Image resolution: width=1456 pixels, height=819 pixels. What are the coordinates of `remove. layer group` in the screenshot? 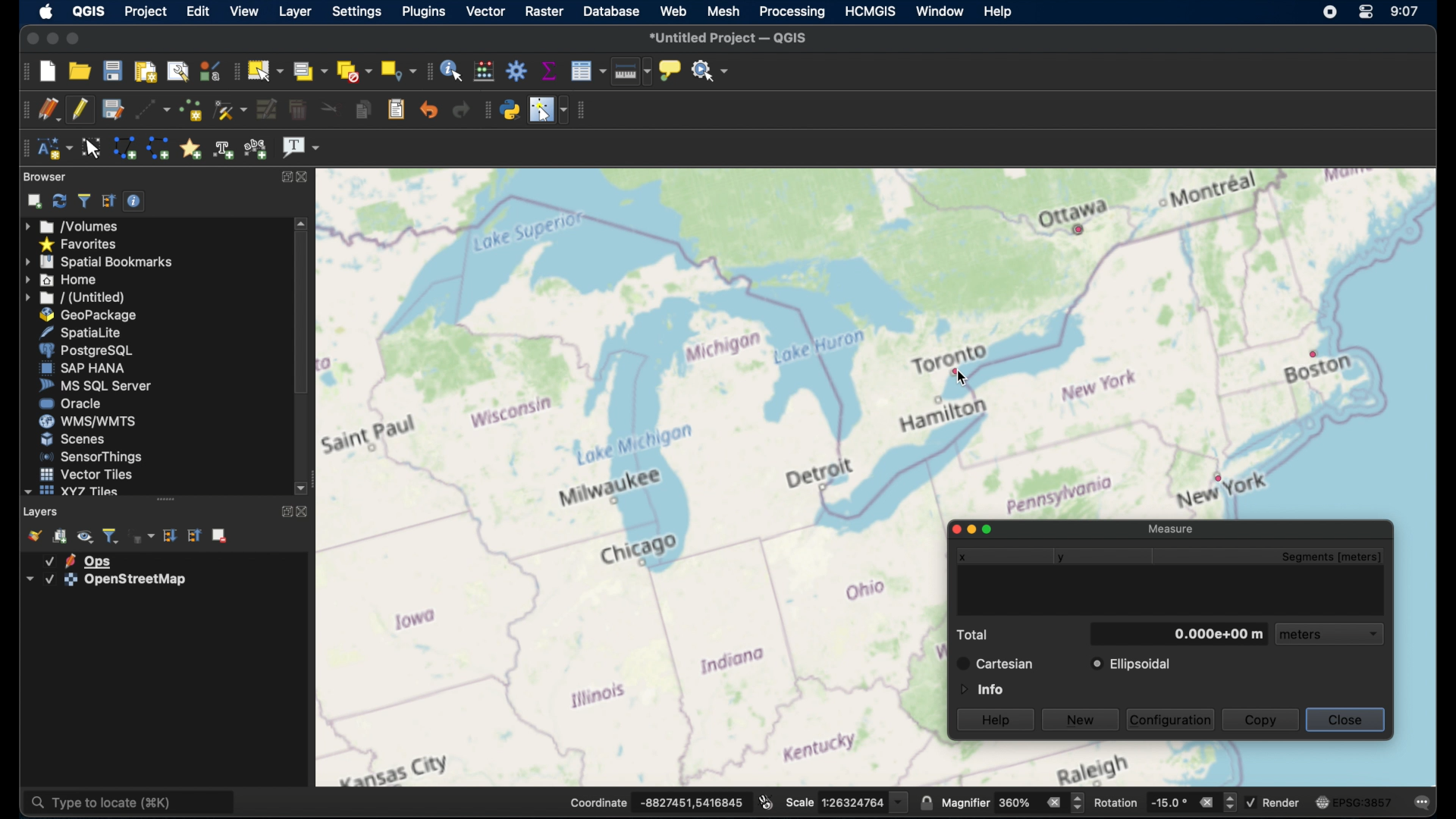 It's located at (221, 537).